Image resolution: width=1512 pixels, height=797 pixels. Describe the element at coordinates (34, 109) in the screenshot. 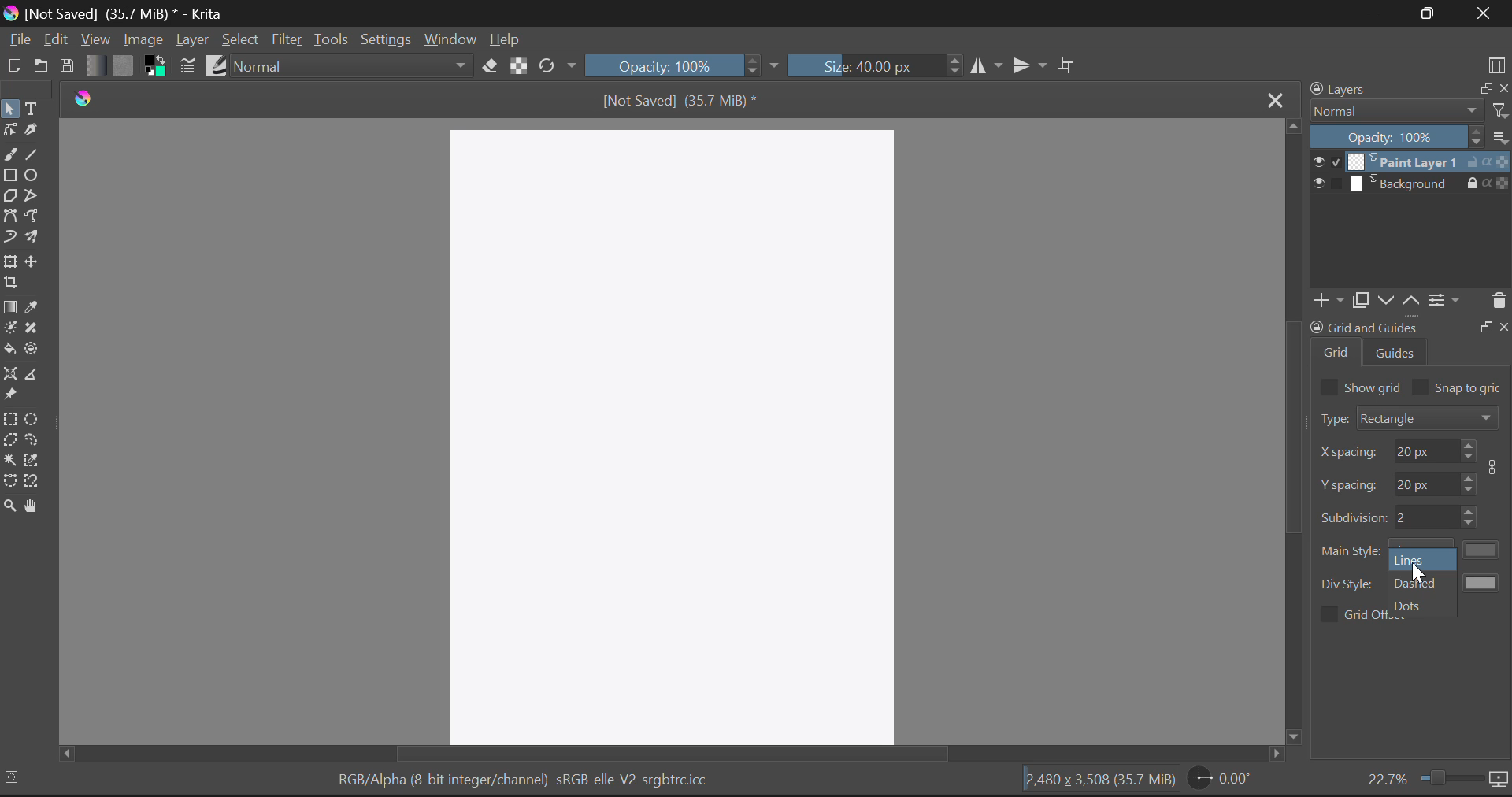

I see `Text` at that location.